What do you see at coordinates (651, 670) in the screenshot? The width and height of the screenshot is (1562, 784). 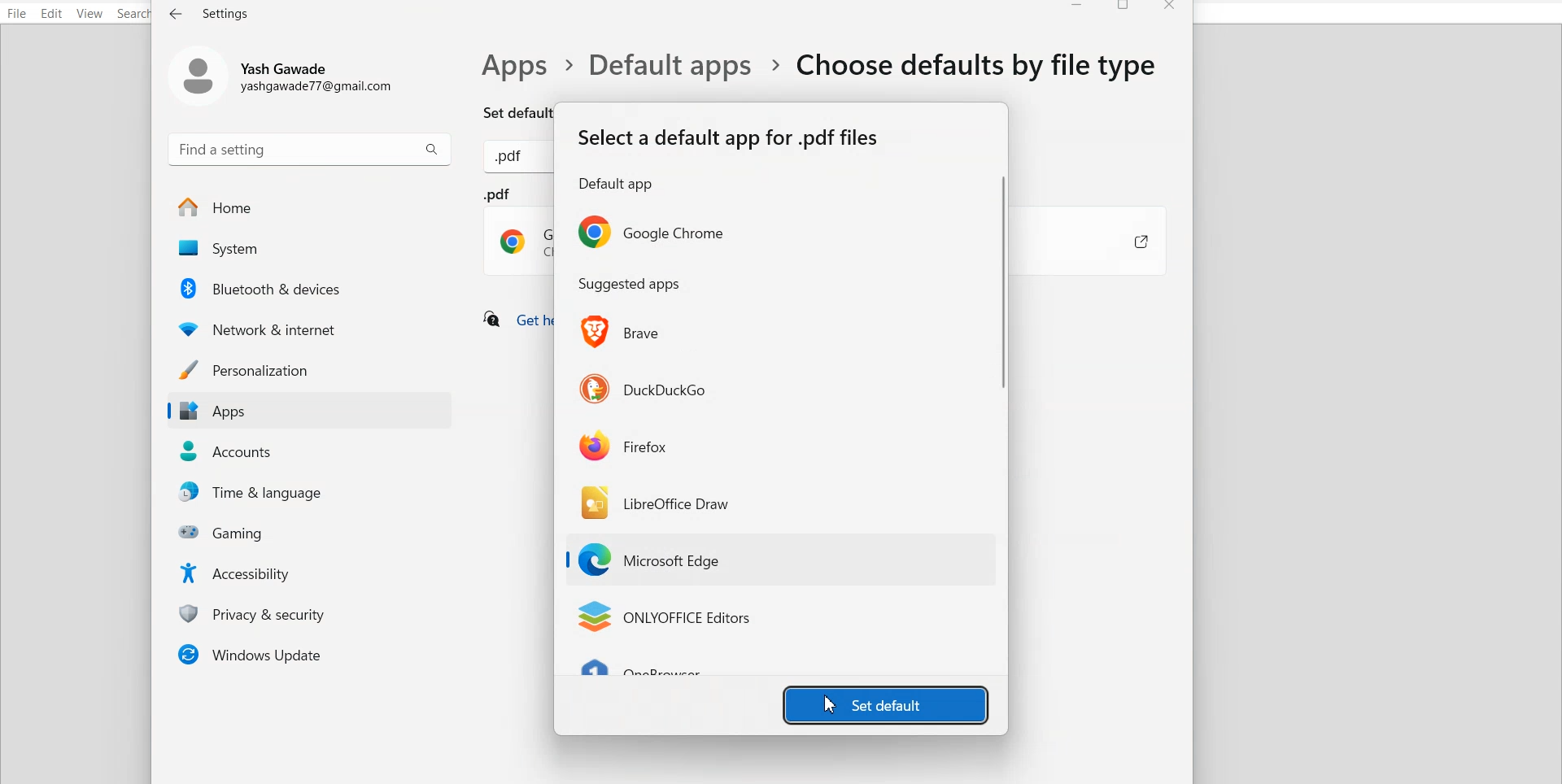 I see `One Resource` at bounding box center [651, 670].